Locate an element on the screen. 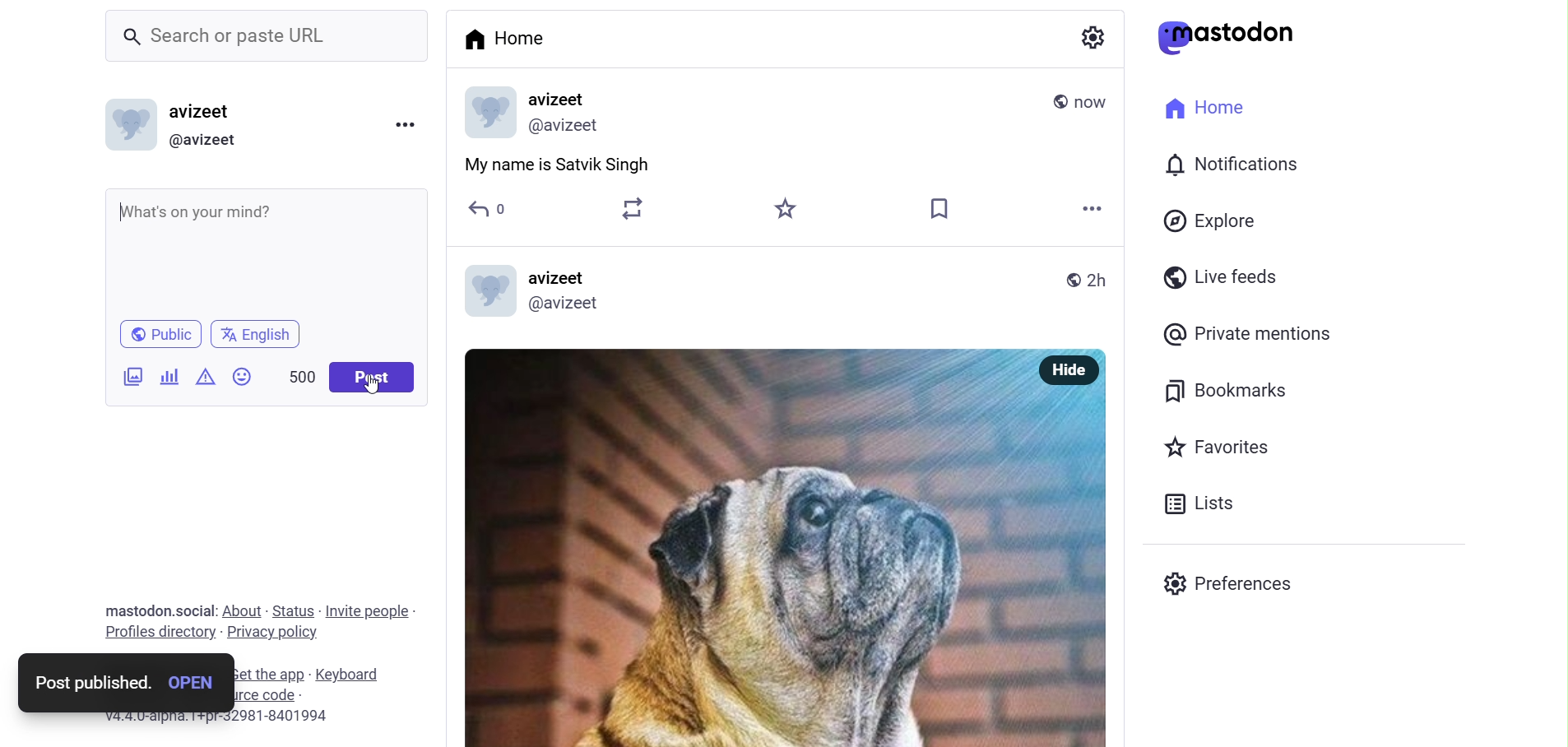 The height and width of the screenshot is (747, 1568). mastodon.social: About - Status - Invite people -
Profiles directory - Privacy policy. is located at coordinates (257, 622).